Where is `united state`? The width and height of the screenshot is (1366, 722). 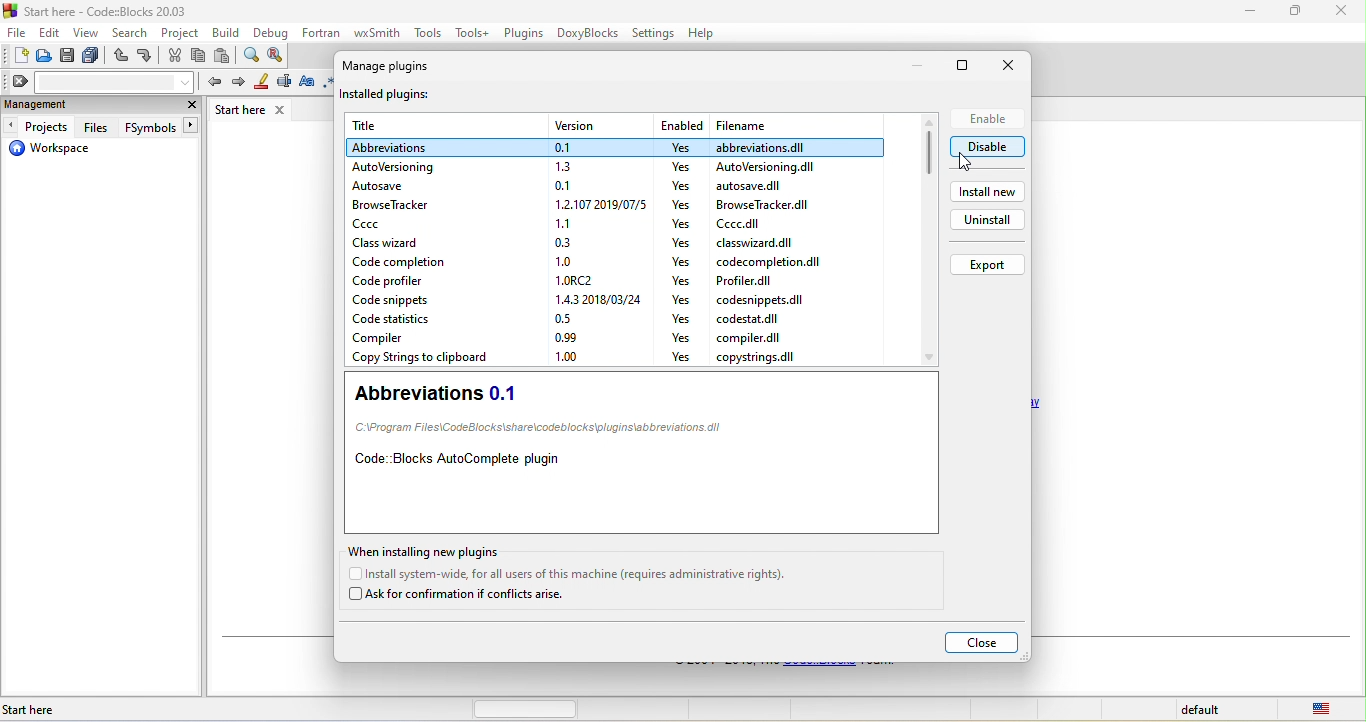
united state is located at coordinates (1325, 710).